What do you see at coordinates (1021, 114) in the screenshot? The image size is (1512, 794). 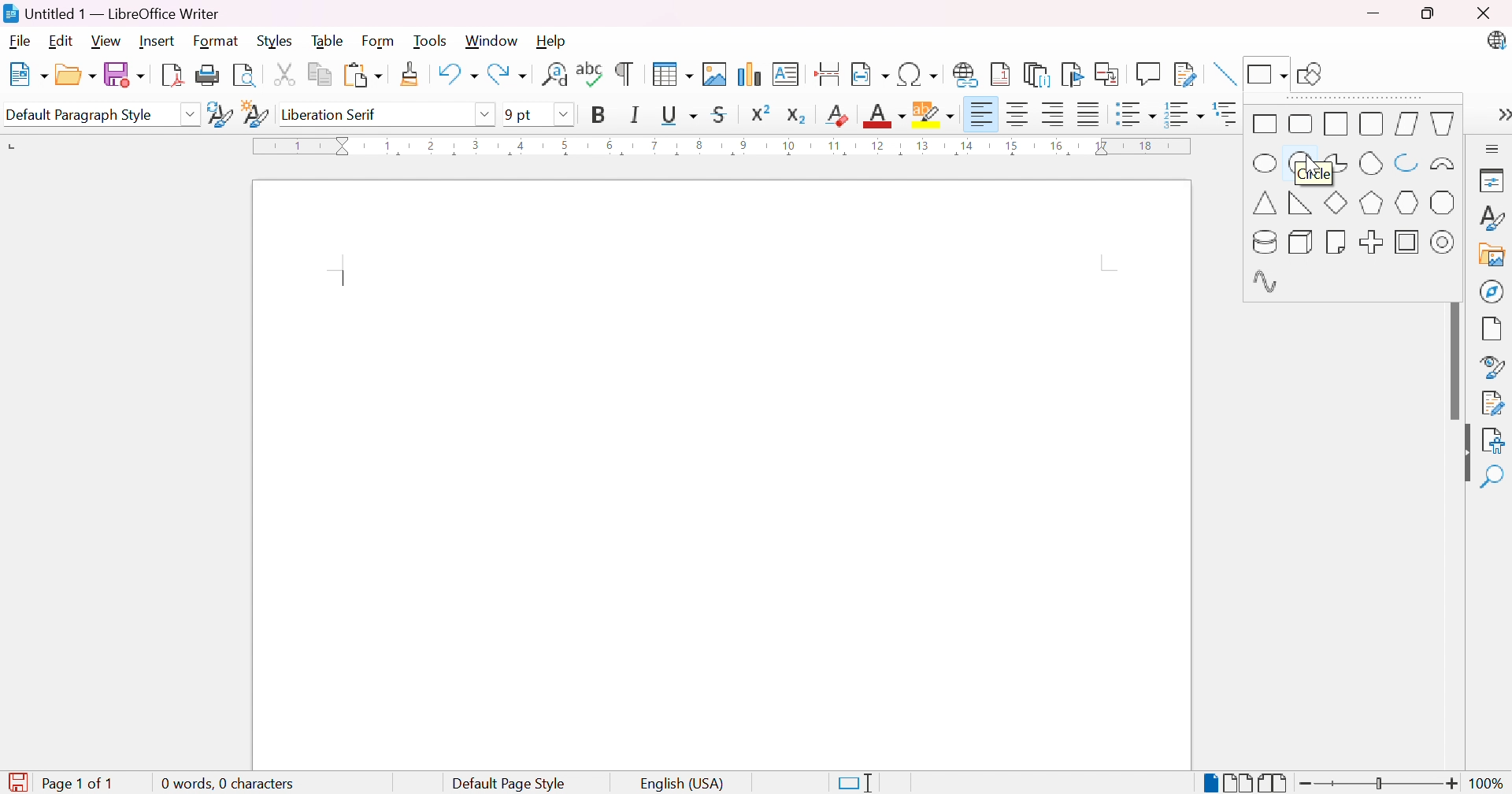 I see `Align center` at bounding box center [1021, 114].